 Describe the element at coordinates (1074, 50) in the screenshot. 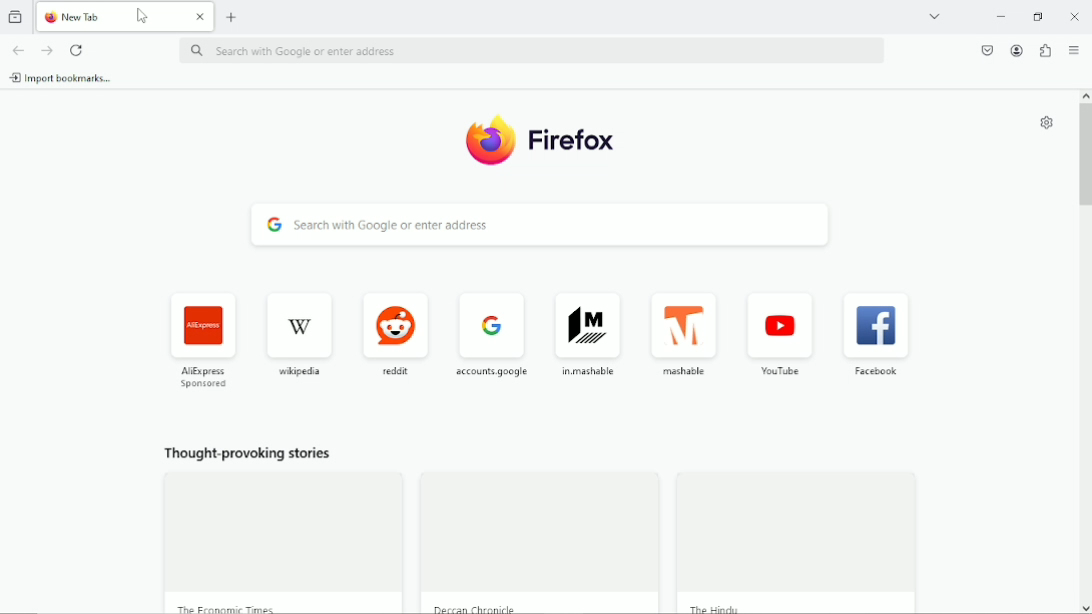

I see `open application menu` at that location.